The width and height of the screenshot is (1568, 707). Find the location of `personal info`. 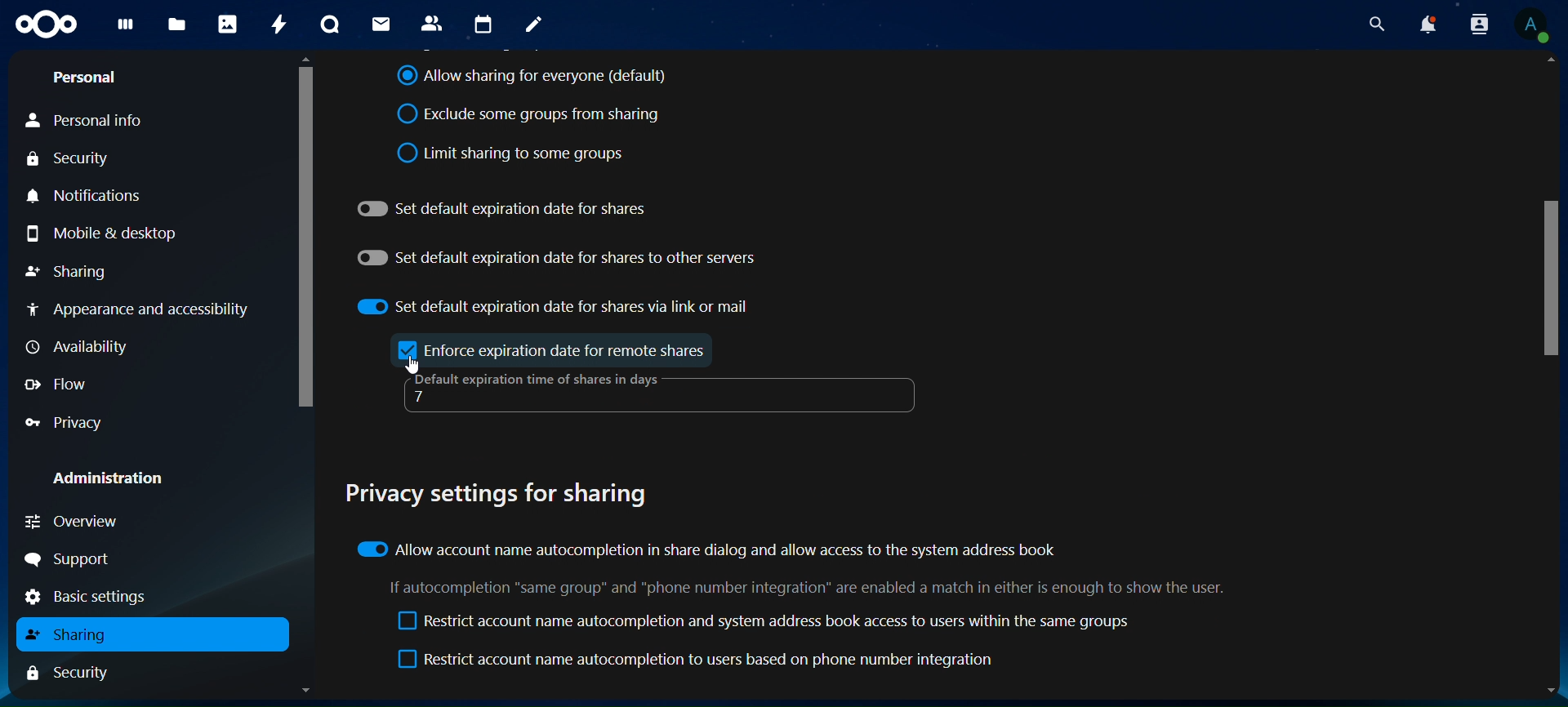

personal info is located at coordinates (90, 121).